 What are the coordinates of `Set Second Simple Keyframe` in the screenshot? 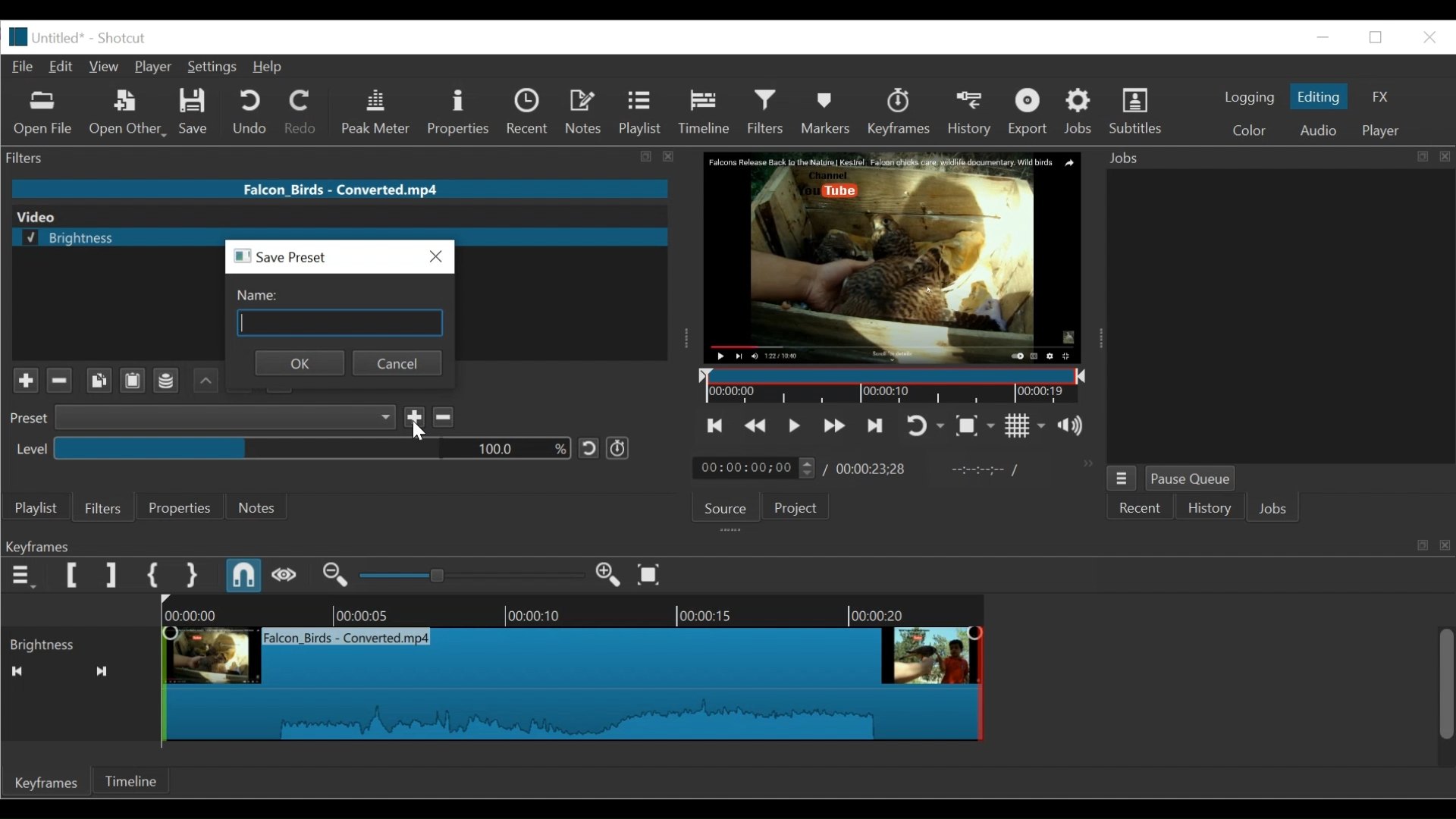 It's located at (190, 575).